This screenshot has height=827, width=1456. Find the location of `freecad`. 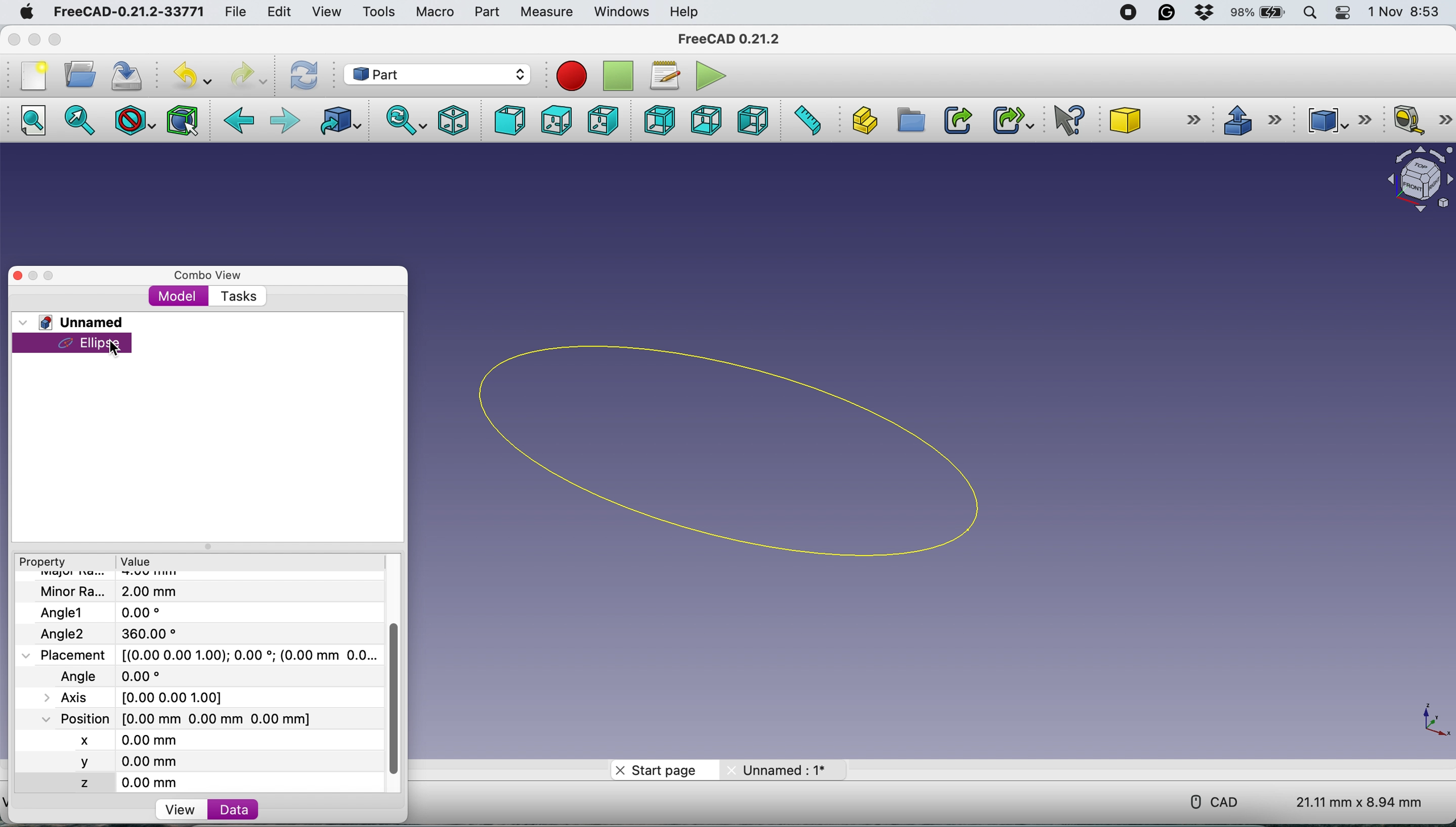

freecad is located at coordinates (127, 12).